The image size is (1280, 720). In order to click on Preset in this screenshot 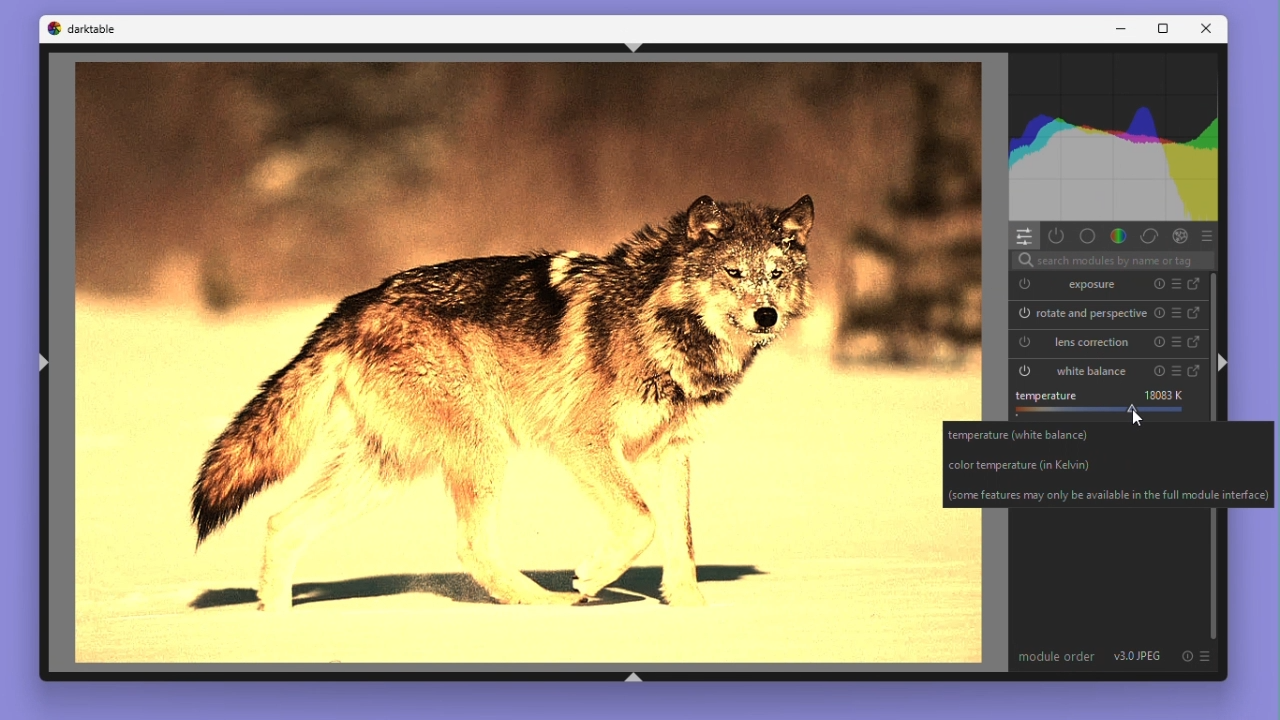, I will do `click(1208, 234)`.